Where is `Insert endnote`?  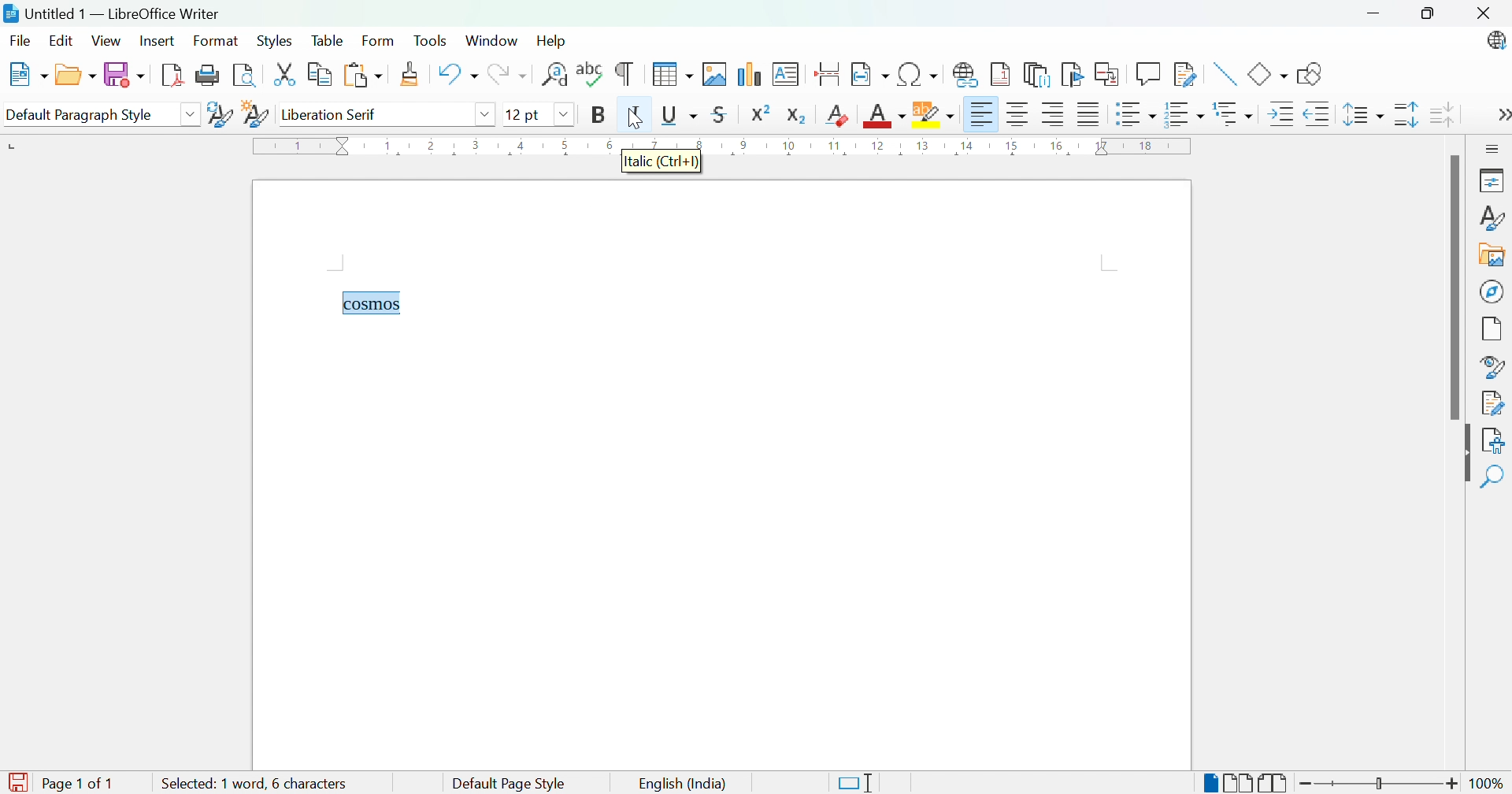 Insert endnote is located at coordinates (1038, 76).